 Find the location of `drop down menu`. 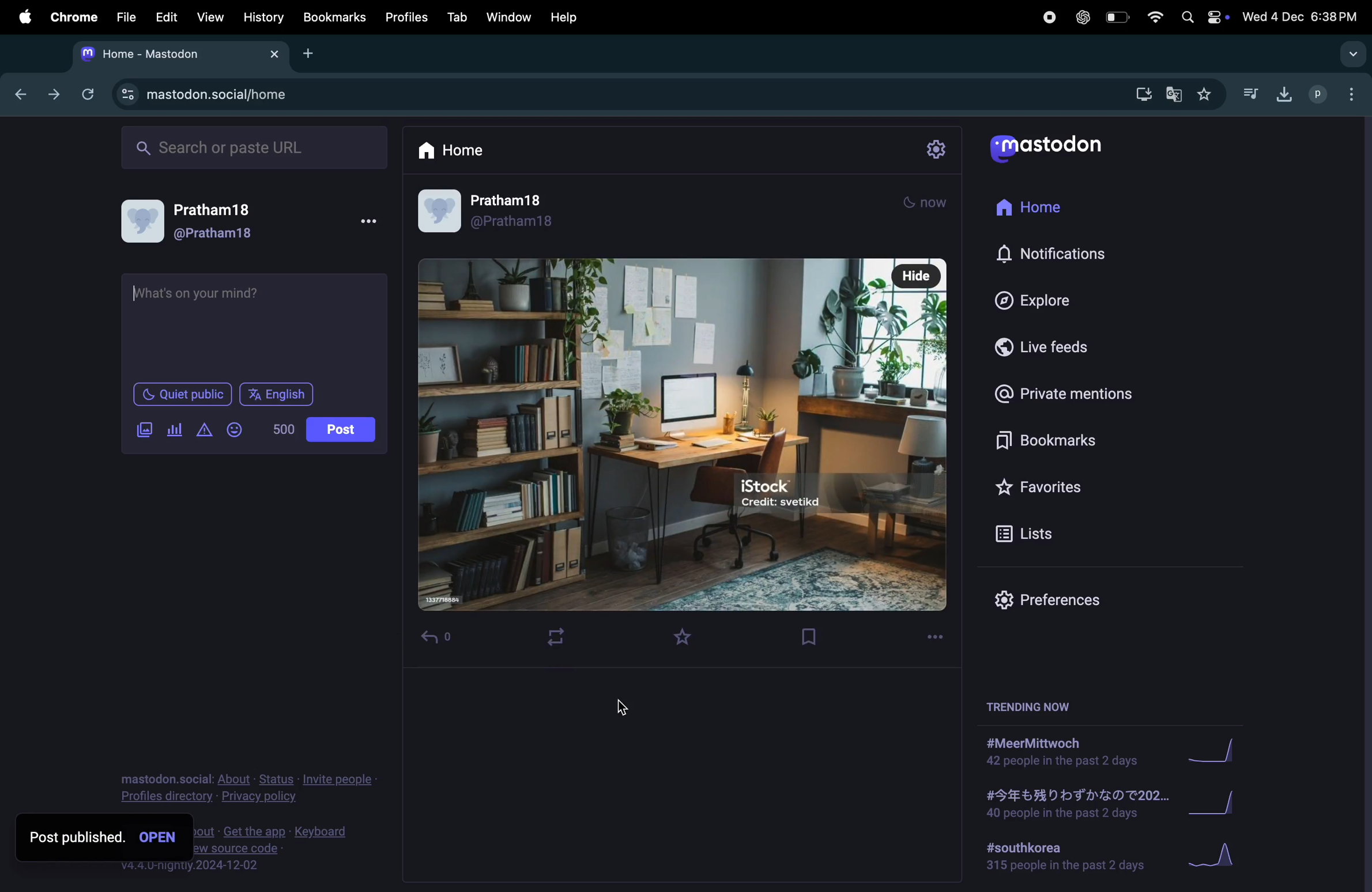

drop down menu is located at coordinates (1354, 54).